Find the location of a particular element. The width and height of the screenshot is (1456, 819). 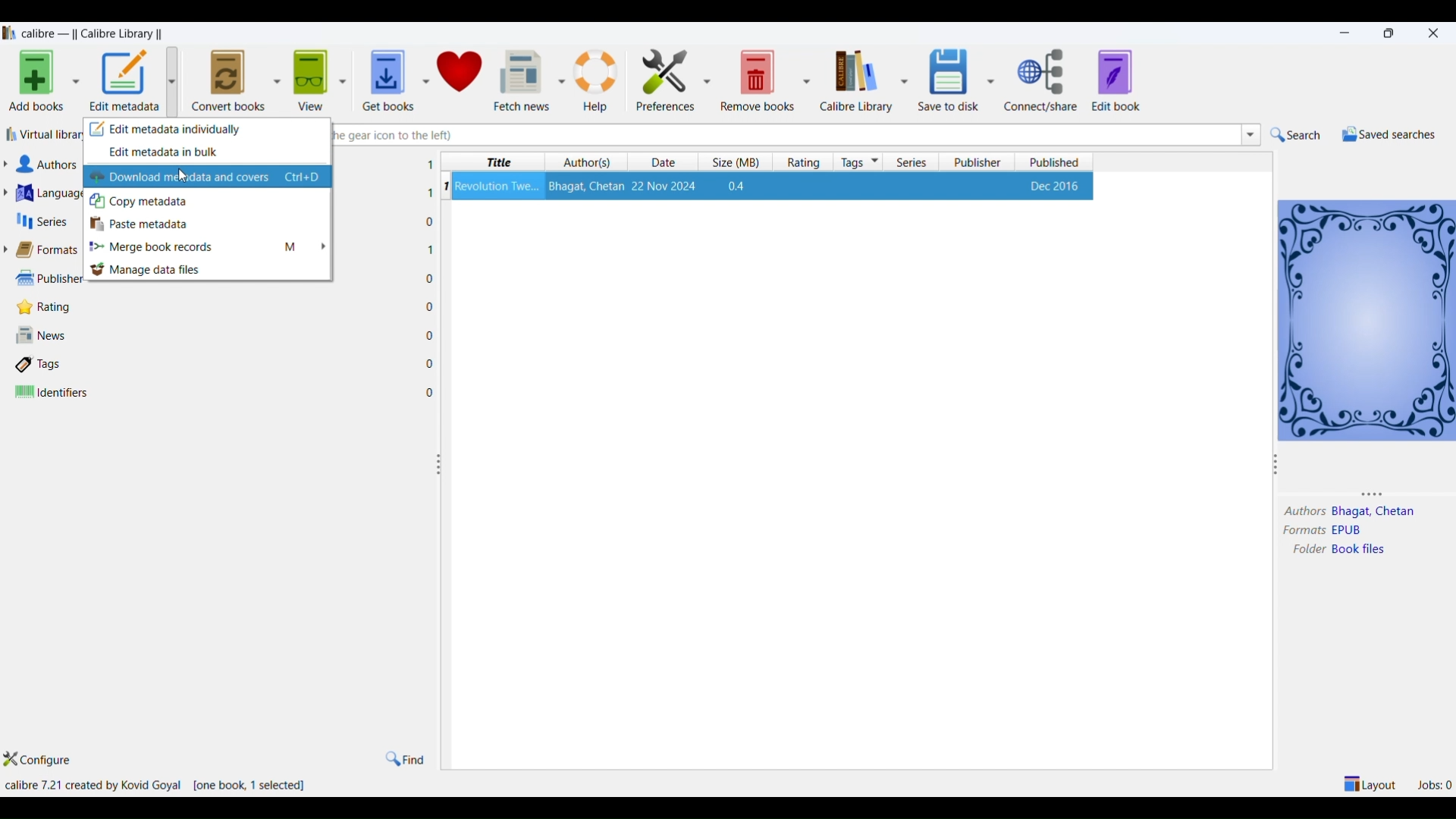

author name is located at coordinates (1376, 513).